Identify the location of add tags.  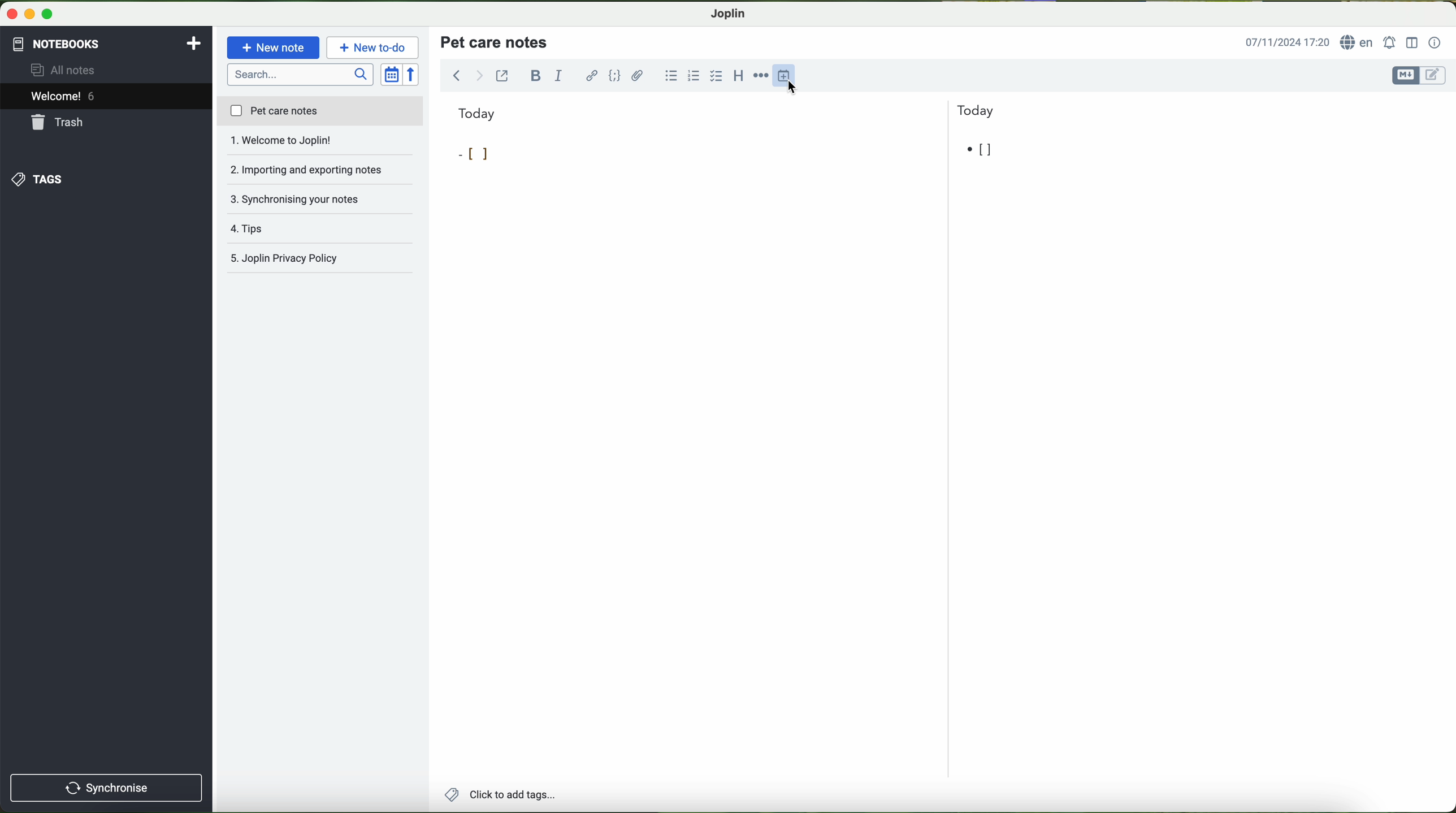
(500, 796).